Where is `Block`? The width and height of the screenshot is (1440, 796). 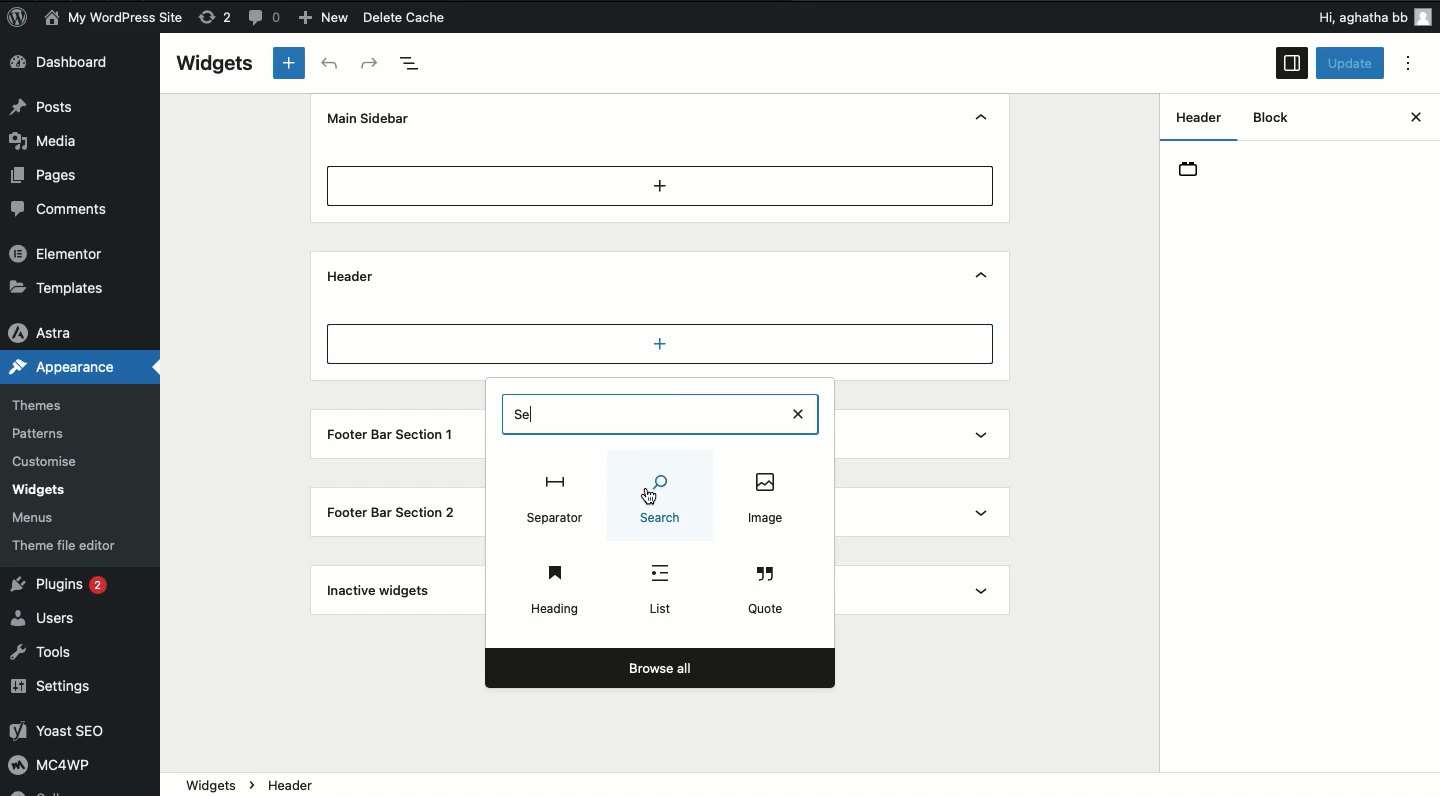
Block is located at coordinates (1275, 118).